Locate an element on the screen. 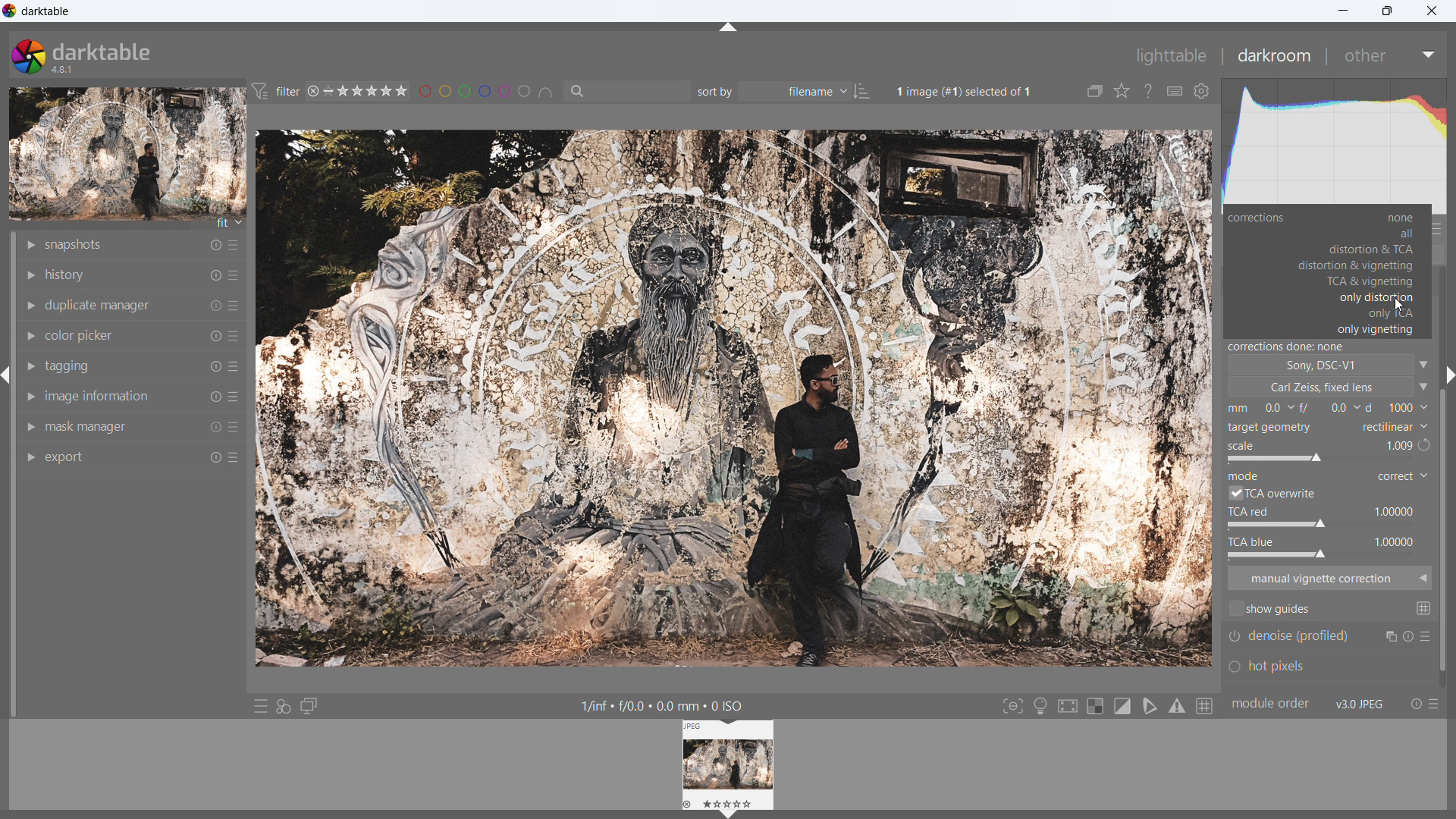 The width and height of the screenshot is (1456, 819). target geometry is located at coordinates (1389, 427).